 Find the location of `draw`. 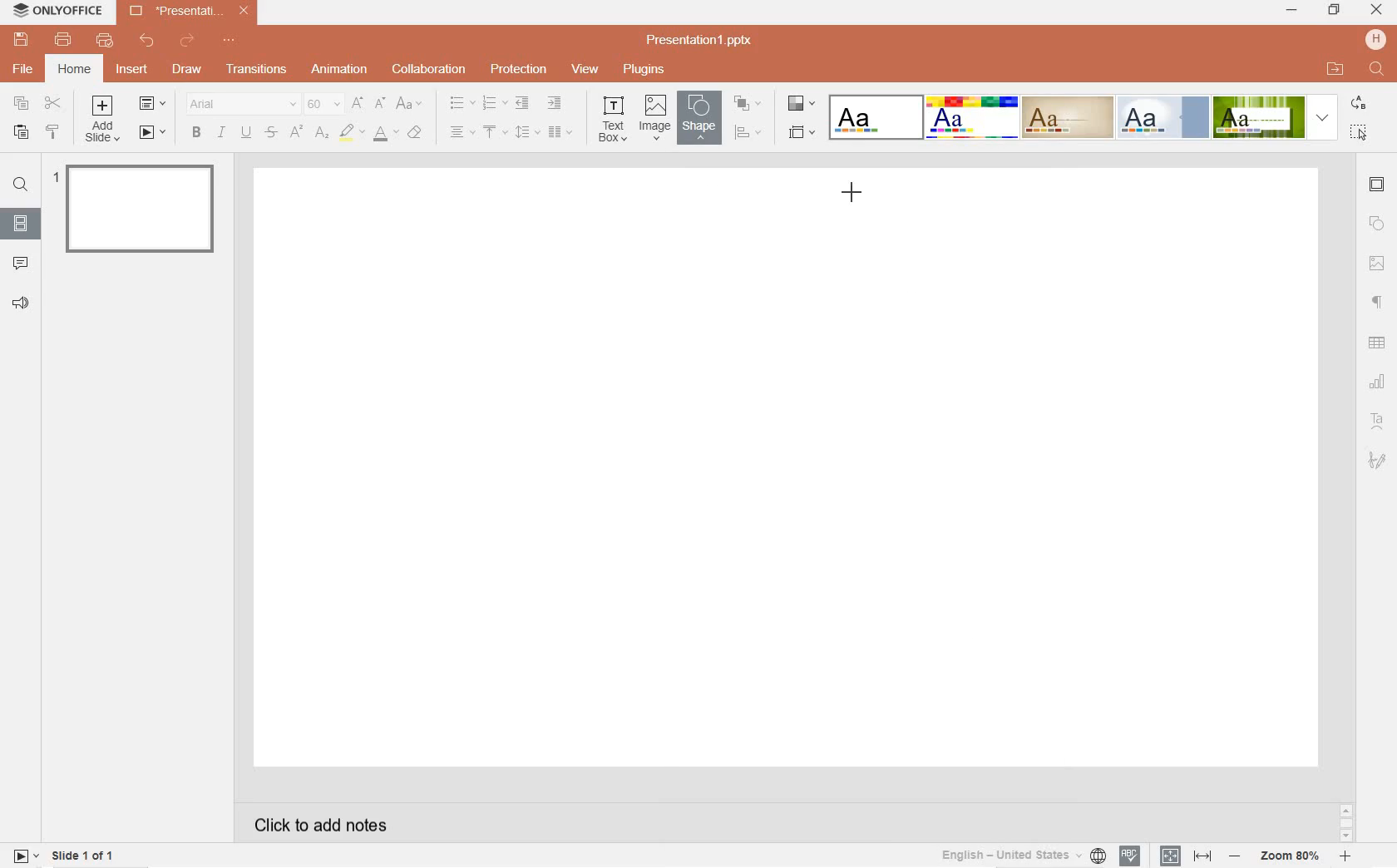

draw is located at coordinates (186, 67).